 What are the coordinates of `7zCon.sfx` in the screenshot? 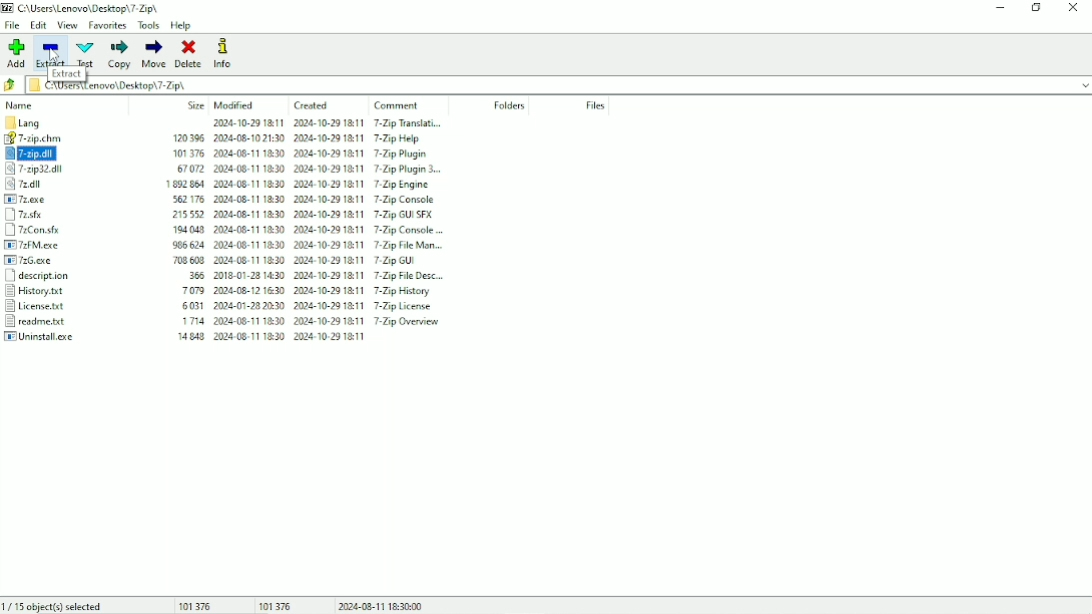 It's located at (61, 230).